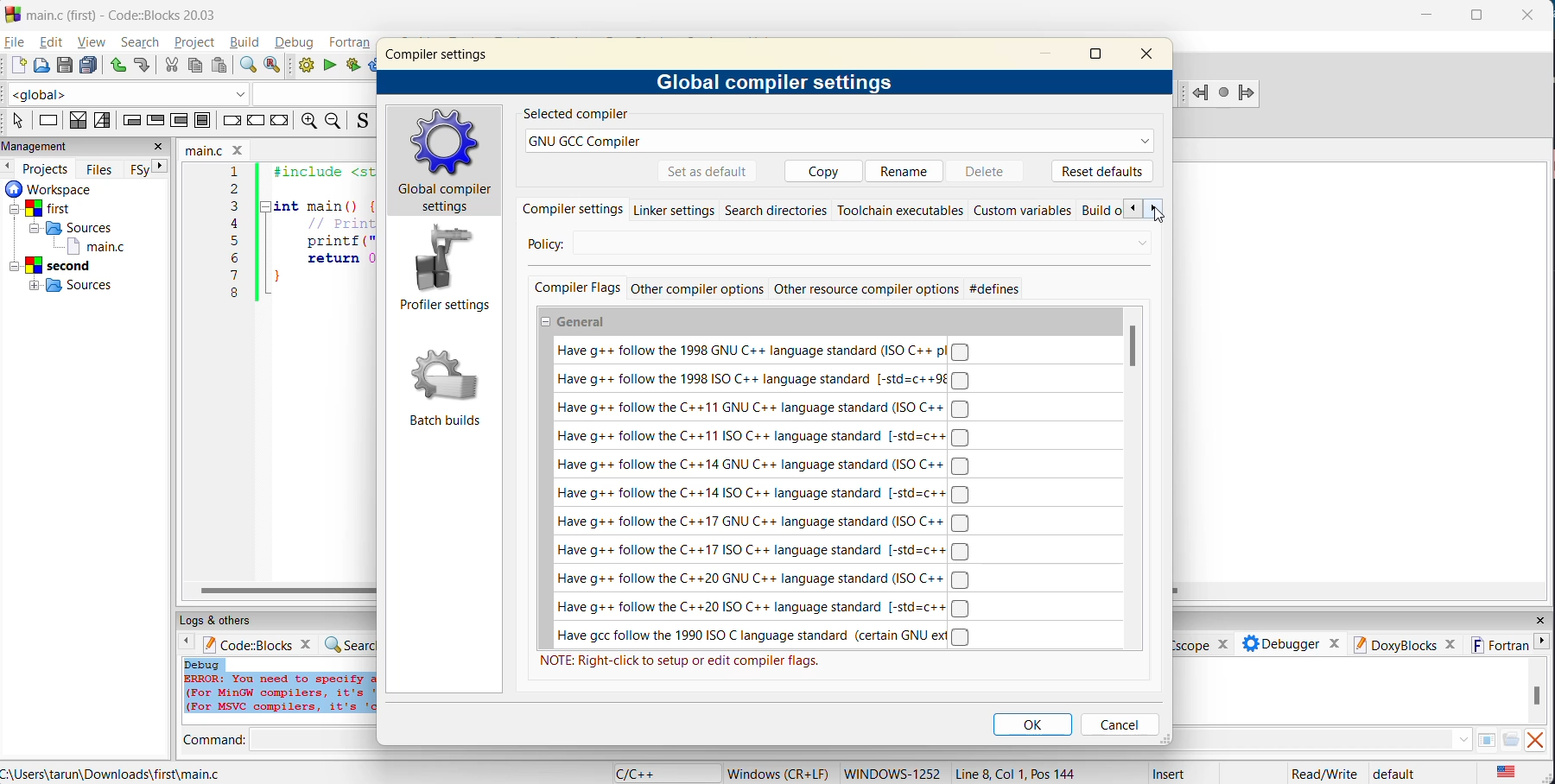  I want to click on run, so click(331, 66).